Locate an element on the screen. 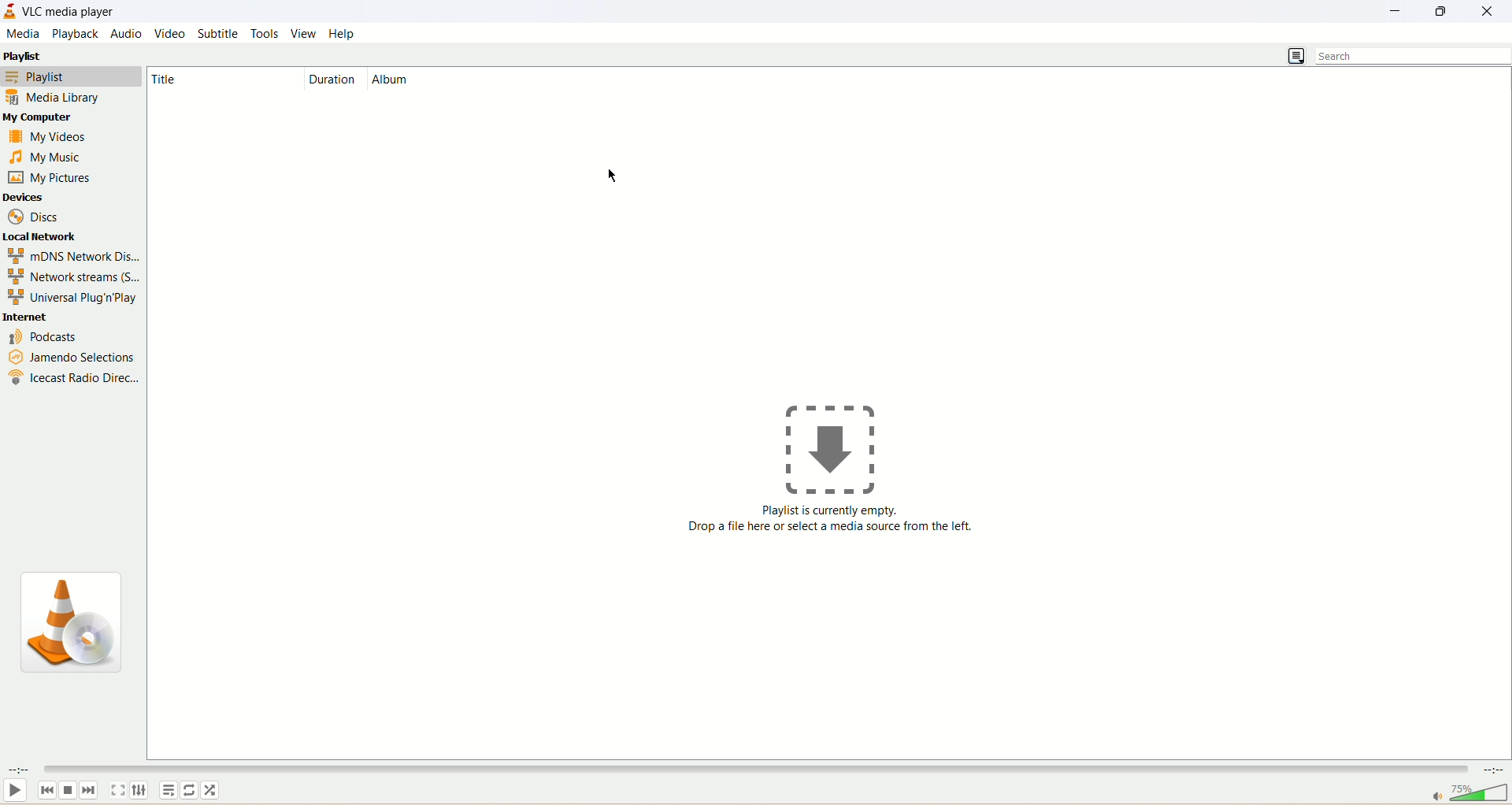 This screenshot has width=1512, height=805. minimize is located at coordinates (1397, 12).